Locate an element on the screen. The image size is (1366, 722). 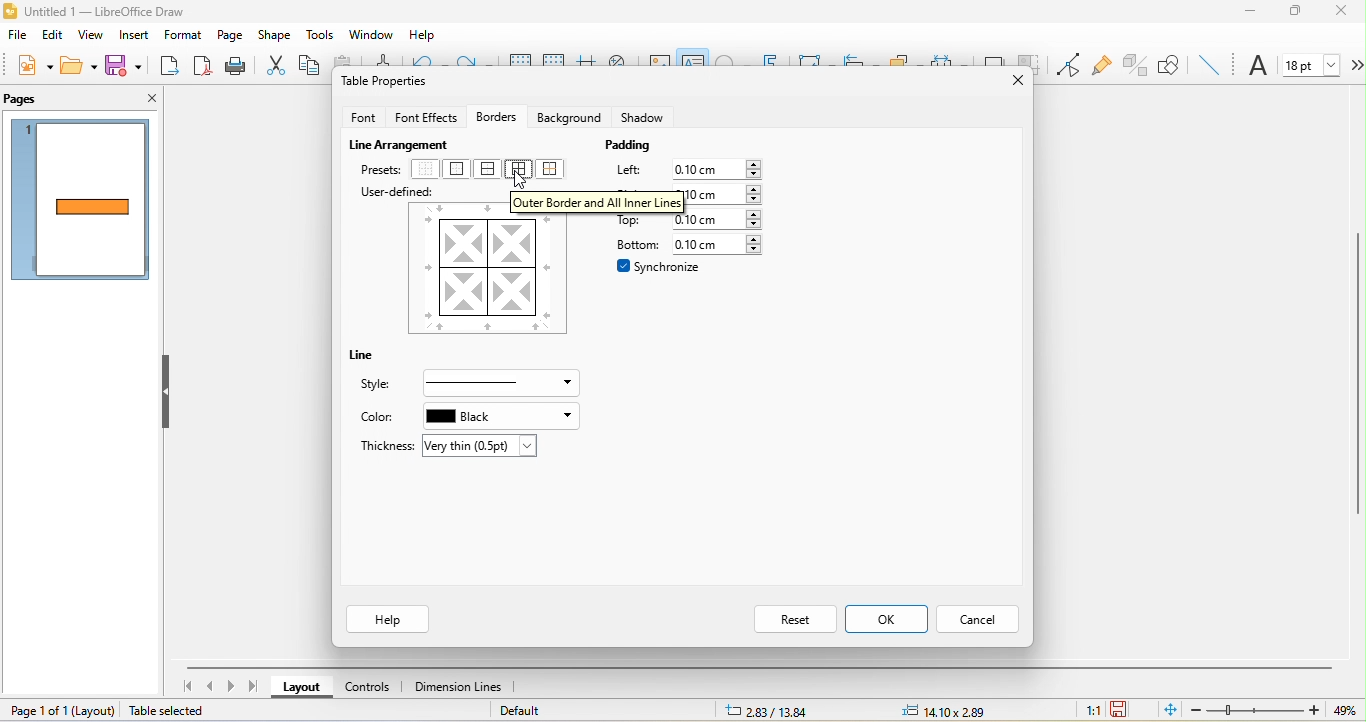
format is located at coordinates (185, 35).